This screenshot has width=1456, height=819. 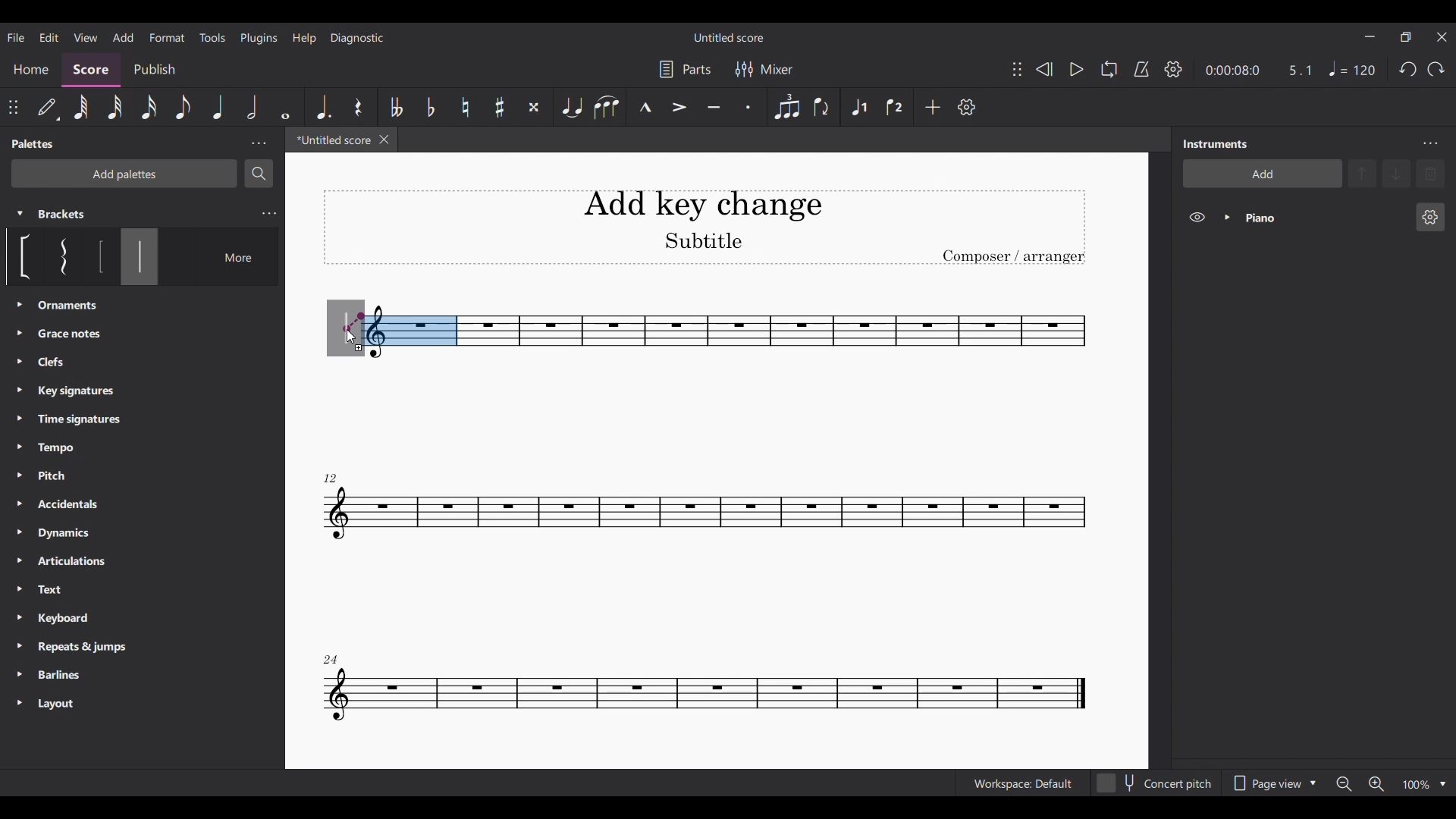 I want to click on Minimize, so click(x=1369, y=36).